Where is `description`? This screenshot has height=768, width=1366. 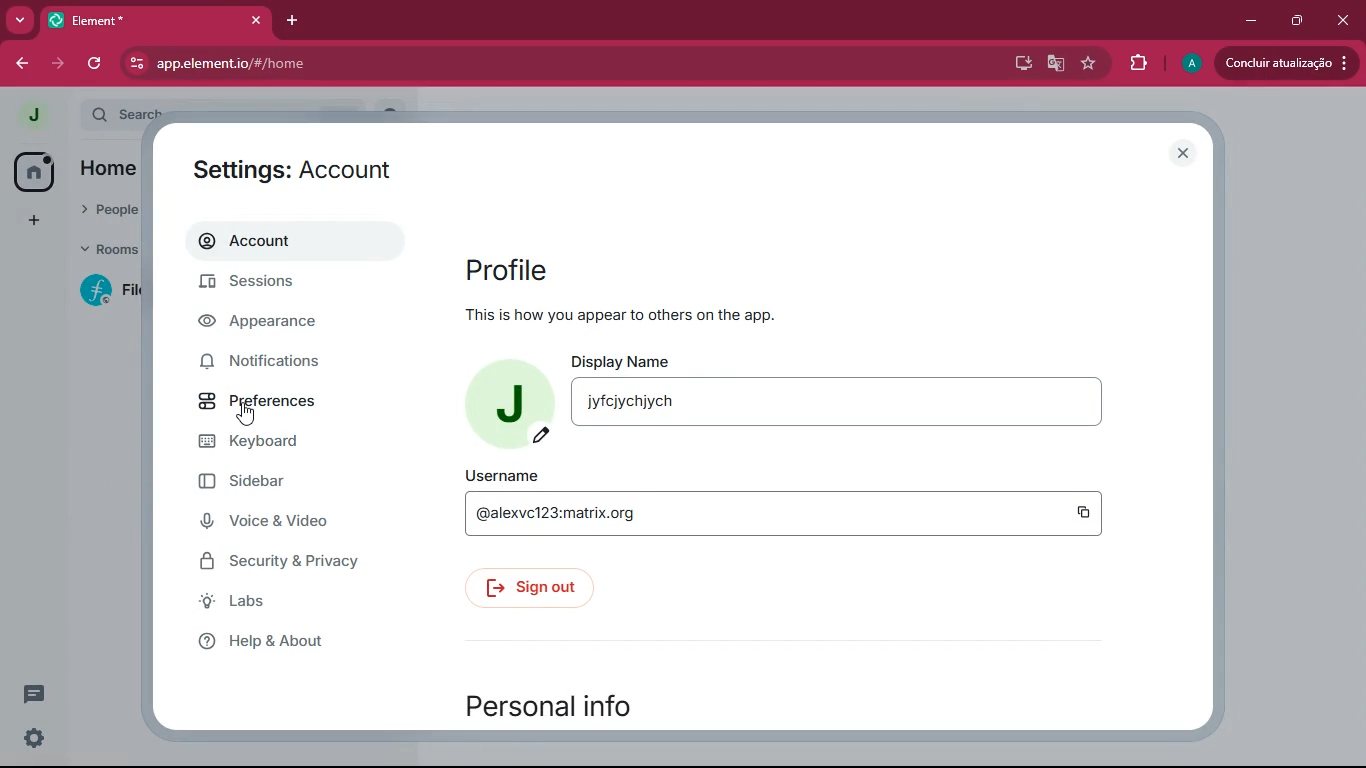
description is located at coordinates (686, 315).